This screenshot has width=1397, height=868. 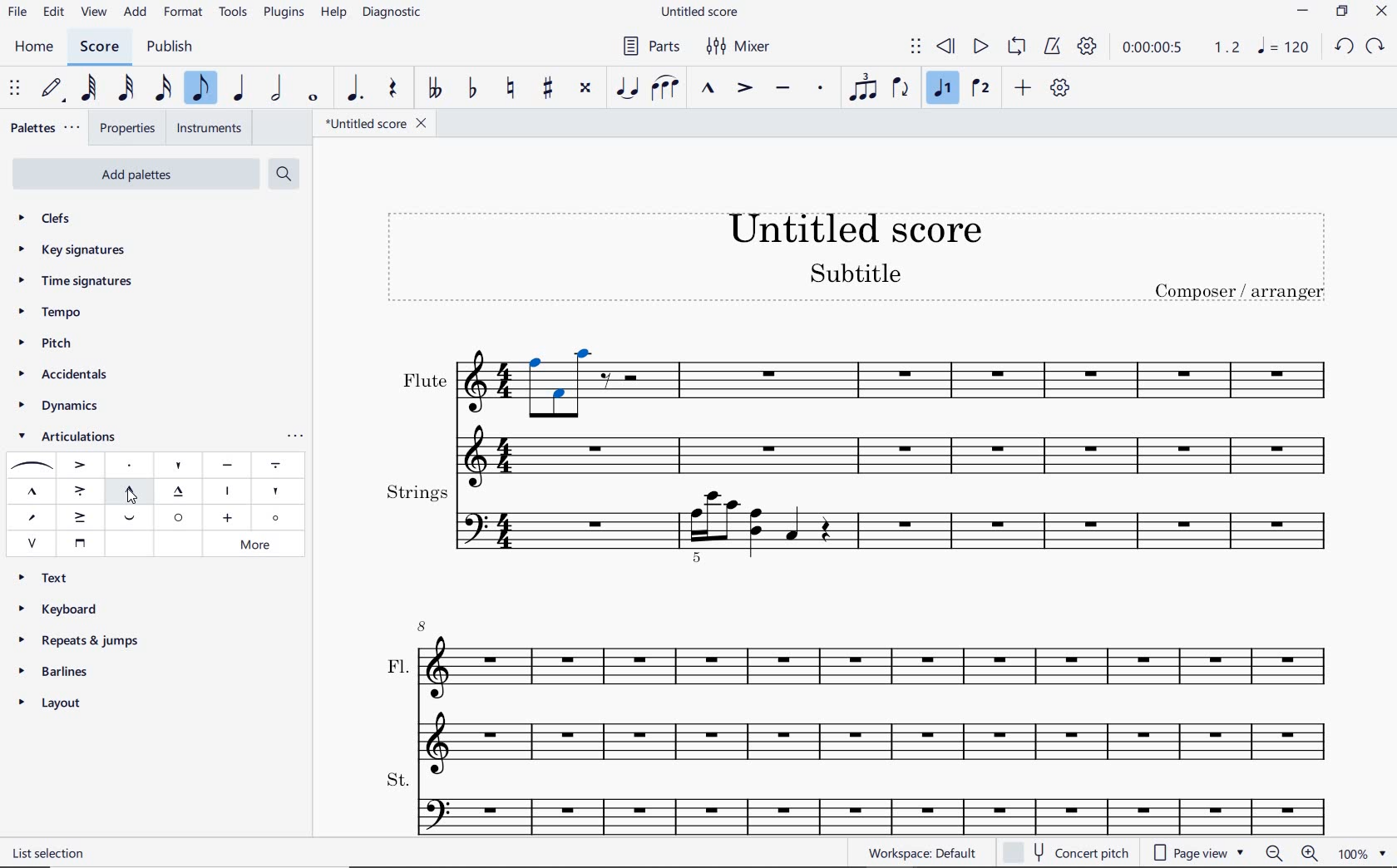 What do you see at coordinates (380, 123) in the screenshot?
I see `FILE NAME` at bounding box center [380, 123].